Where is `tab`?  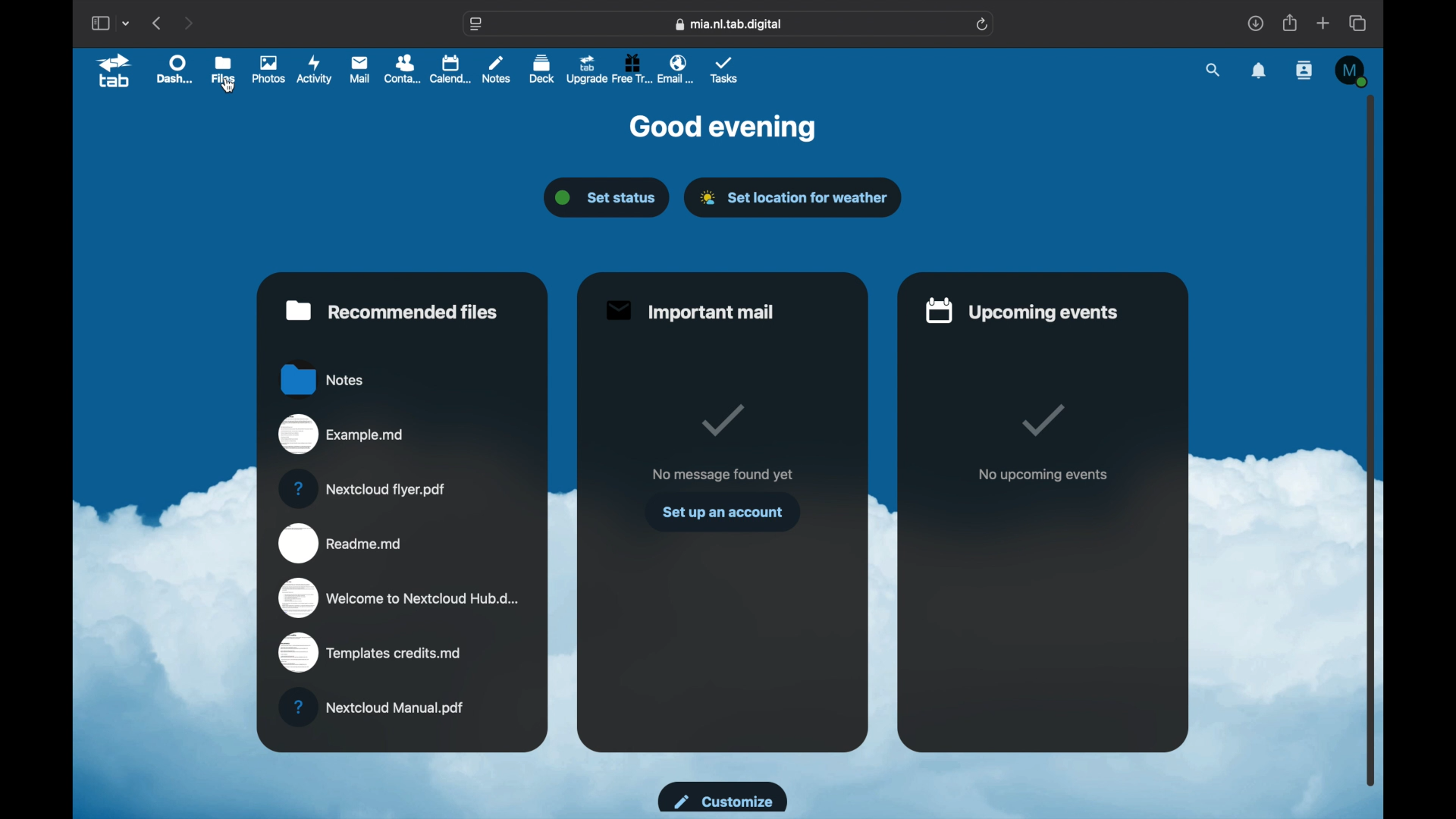 tab is located at coordinates (115, 71).